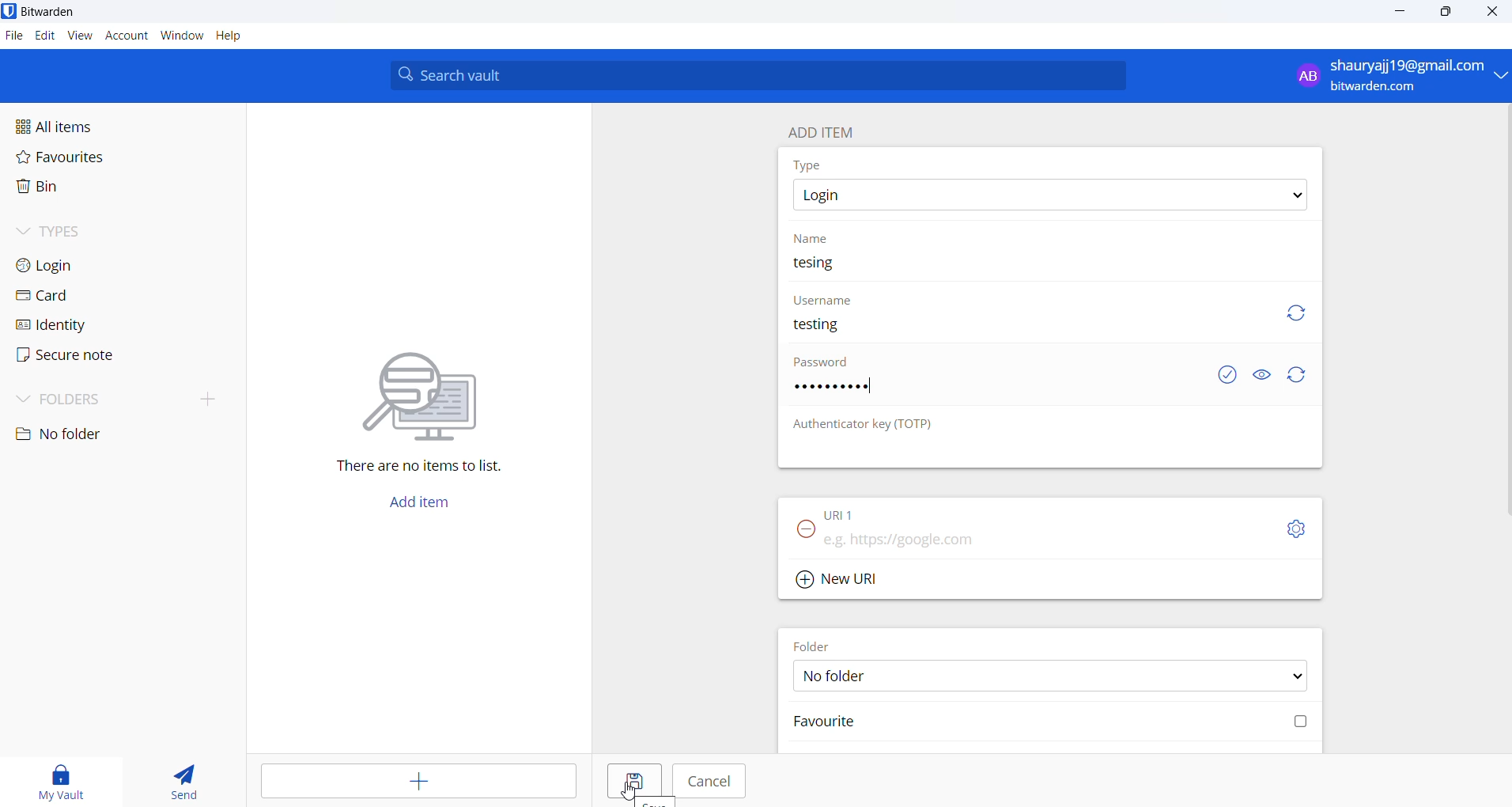  Describe the element at coordinates (13, 36) in the screenshot. I see `File` at that location.